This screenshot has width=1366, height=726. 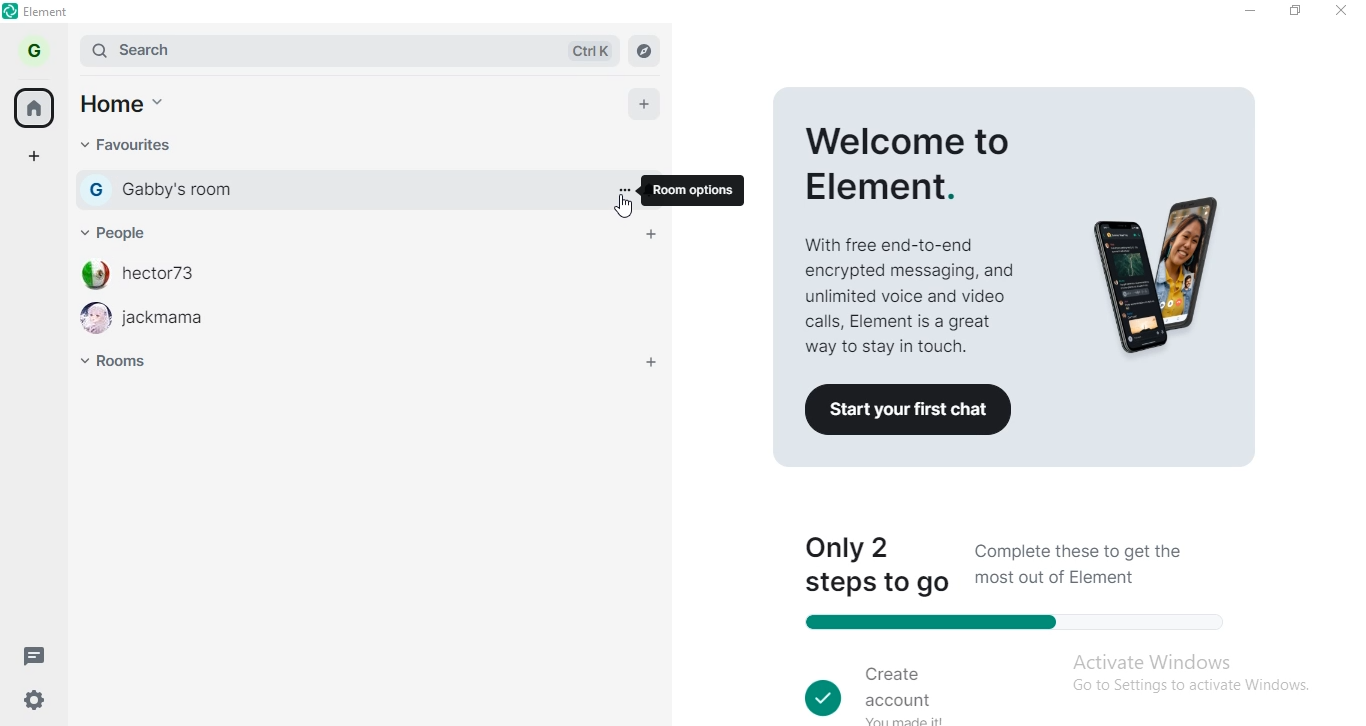 I want to click on home, so click(x=130, y=101).